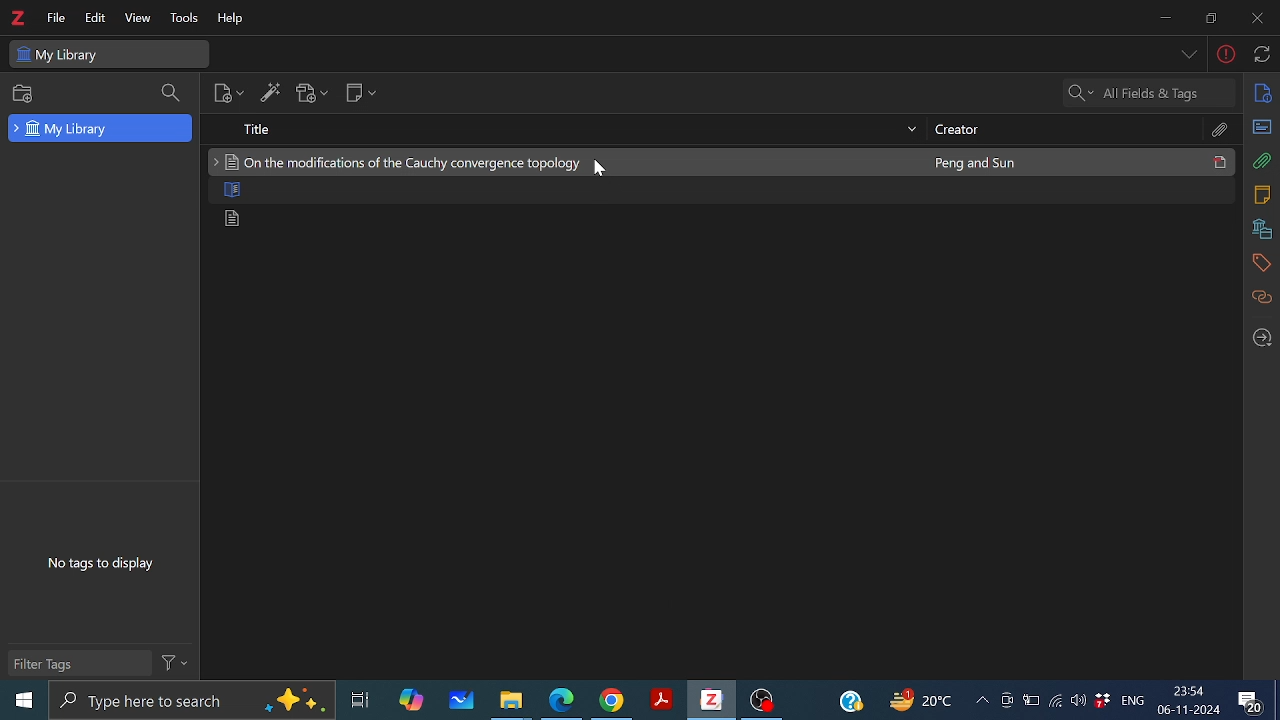 The height and width of the screenshot is (720, 1280). I want to click on My Library, so click(102, 128).